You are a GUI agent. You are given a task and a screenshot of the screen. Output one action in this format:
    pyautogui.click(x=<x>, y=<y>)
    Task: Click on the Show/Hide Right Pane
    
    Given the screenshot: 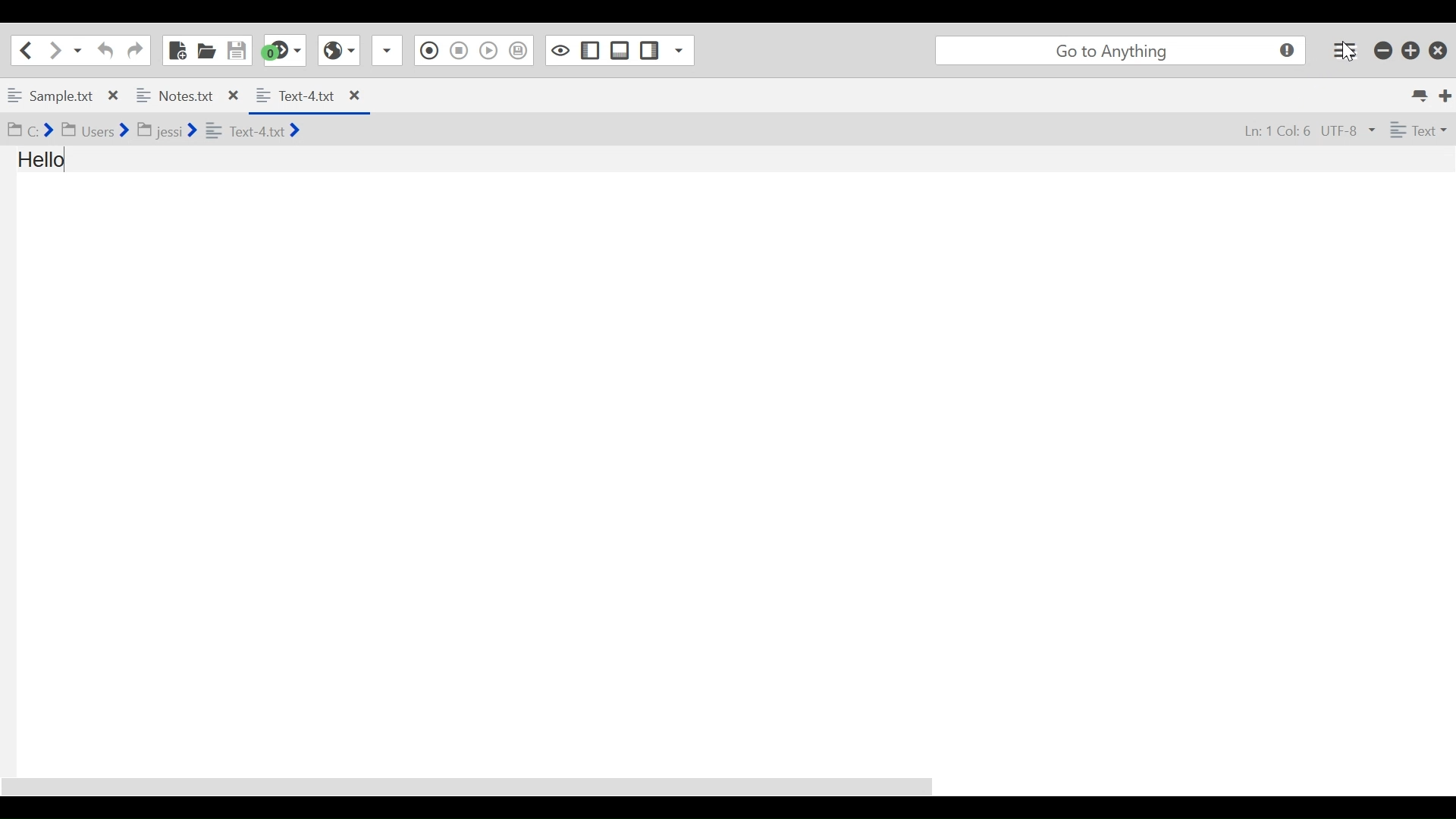 What is the action you would take?
    pyautogui.click(x=650, y=51)
    